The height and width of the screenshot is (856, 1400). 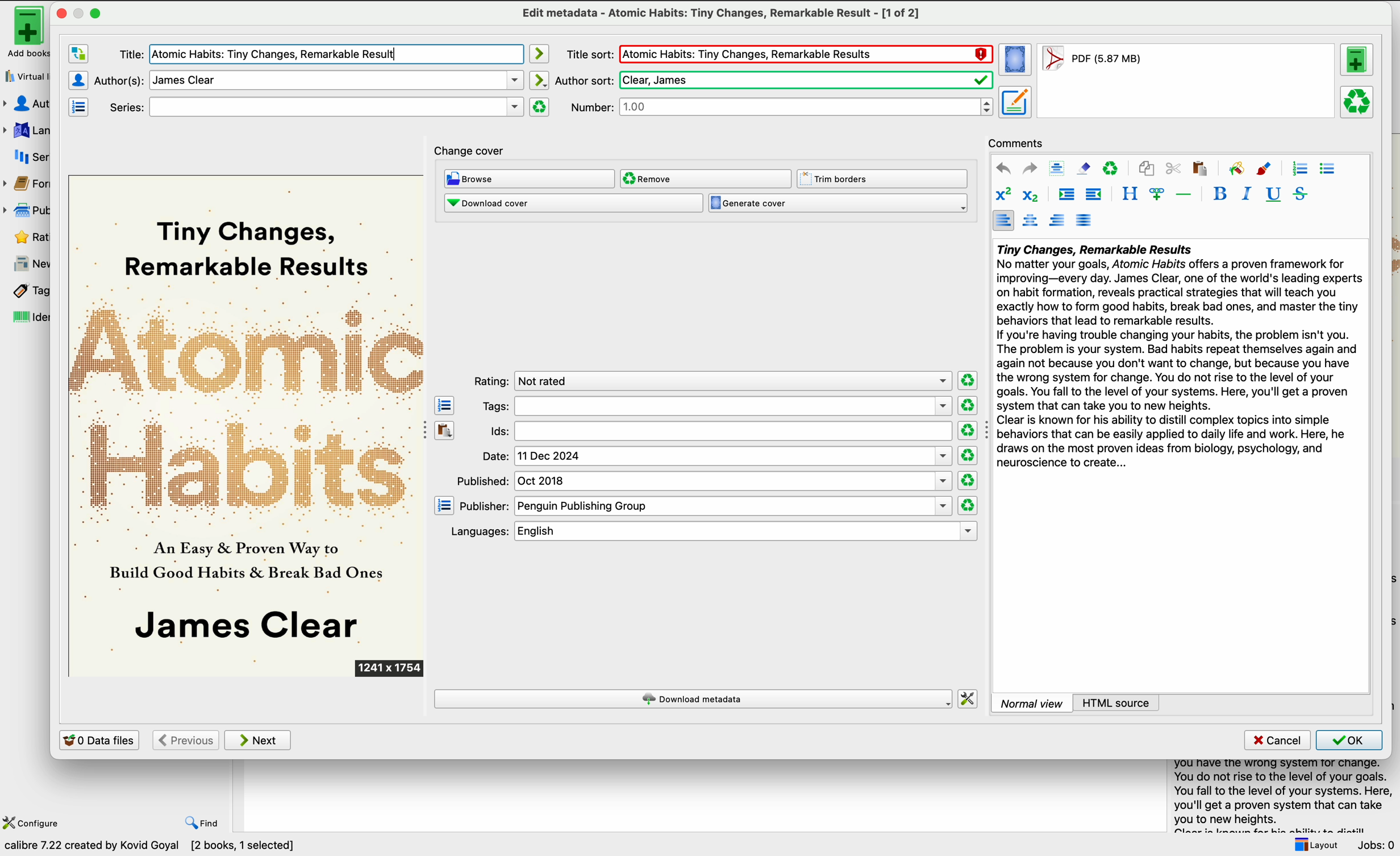 I want to click on languages: english, so click(x=709, y=531).